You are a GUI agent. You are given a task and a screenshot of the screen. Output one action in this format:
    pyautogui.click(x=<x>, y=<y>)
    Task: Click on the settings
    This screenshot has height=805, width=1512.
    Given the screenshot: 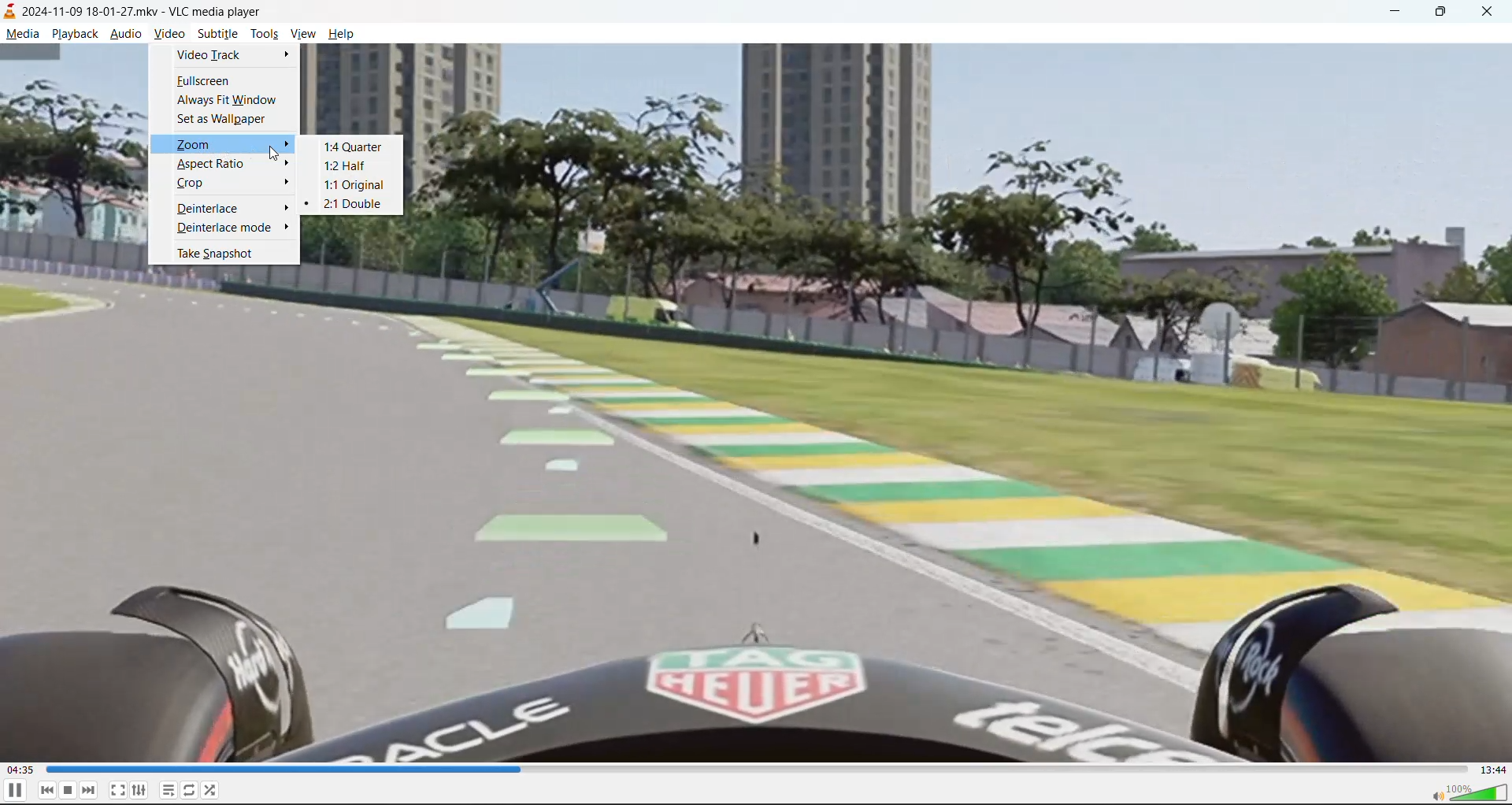 What is the action you would take?
    pyautogui.click(x=138, y=789)
    